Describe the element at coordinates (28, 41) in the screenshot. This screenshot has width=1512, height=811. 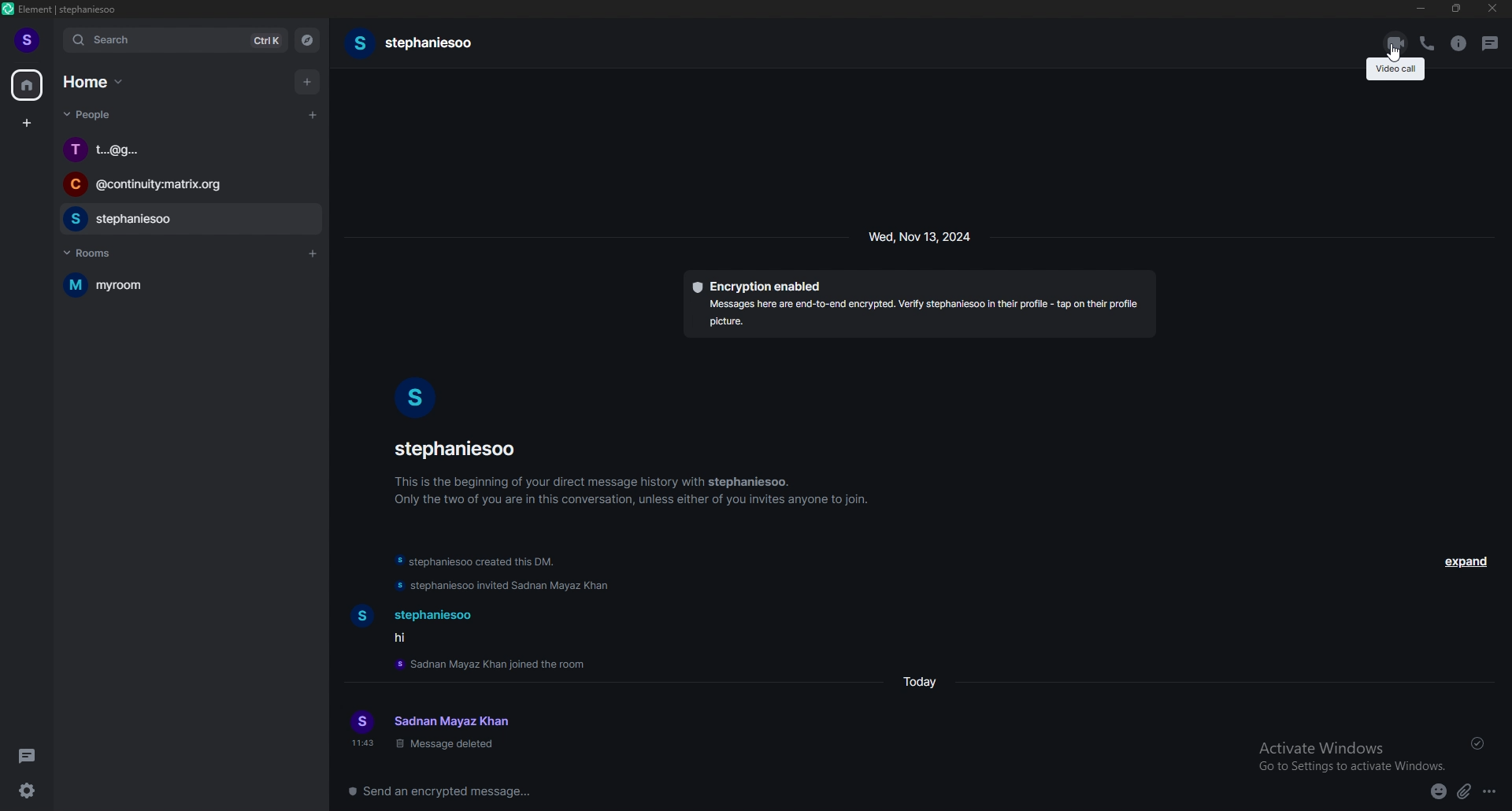
I see `profile` at that location.